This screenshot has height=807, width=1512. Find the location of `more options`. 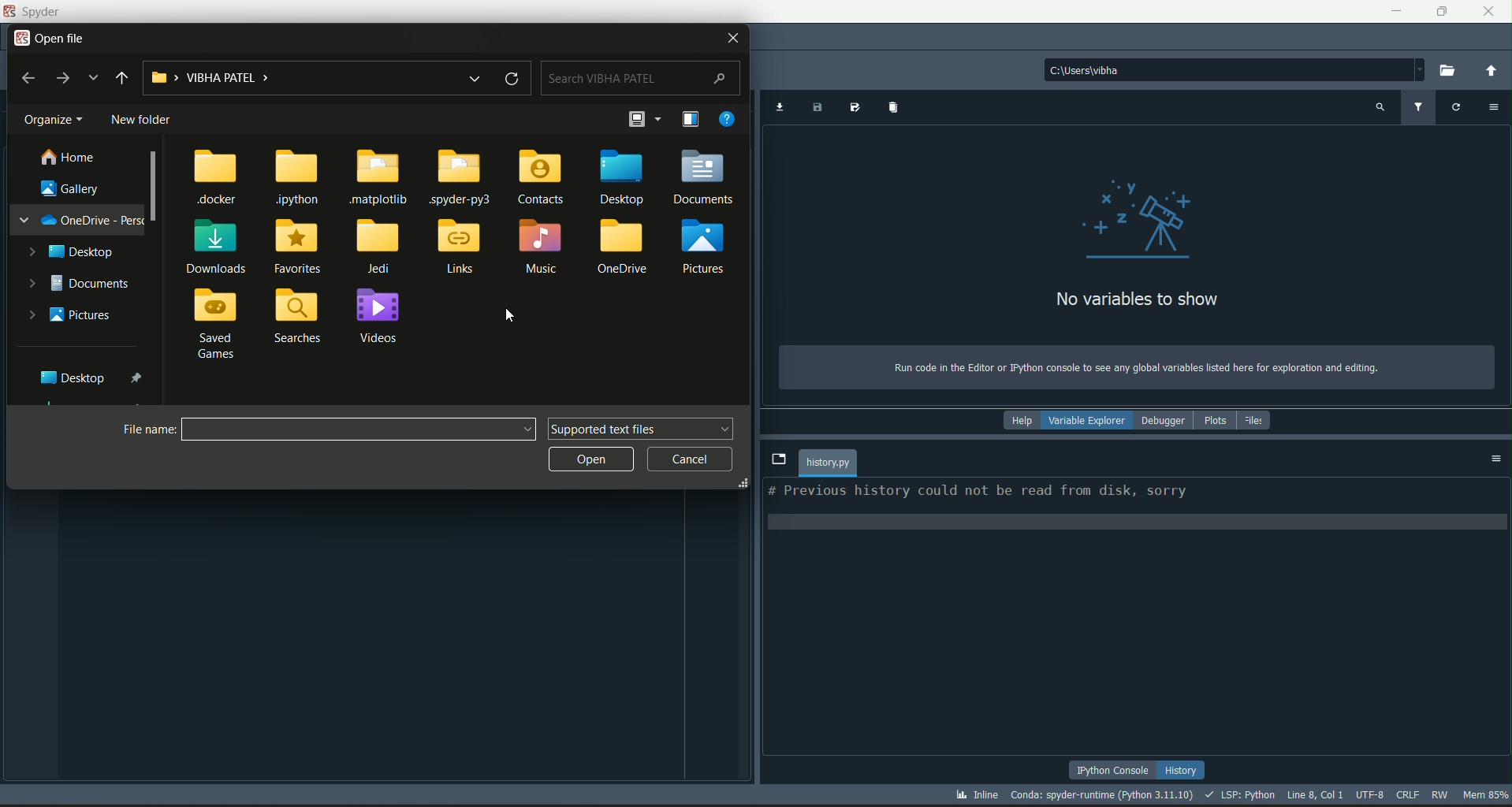

more options is located at coordinates (660, 117).